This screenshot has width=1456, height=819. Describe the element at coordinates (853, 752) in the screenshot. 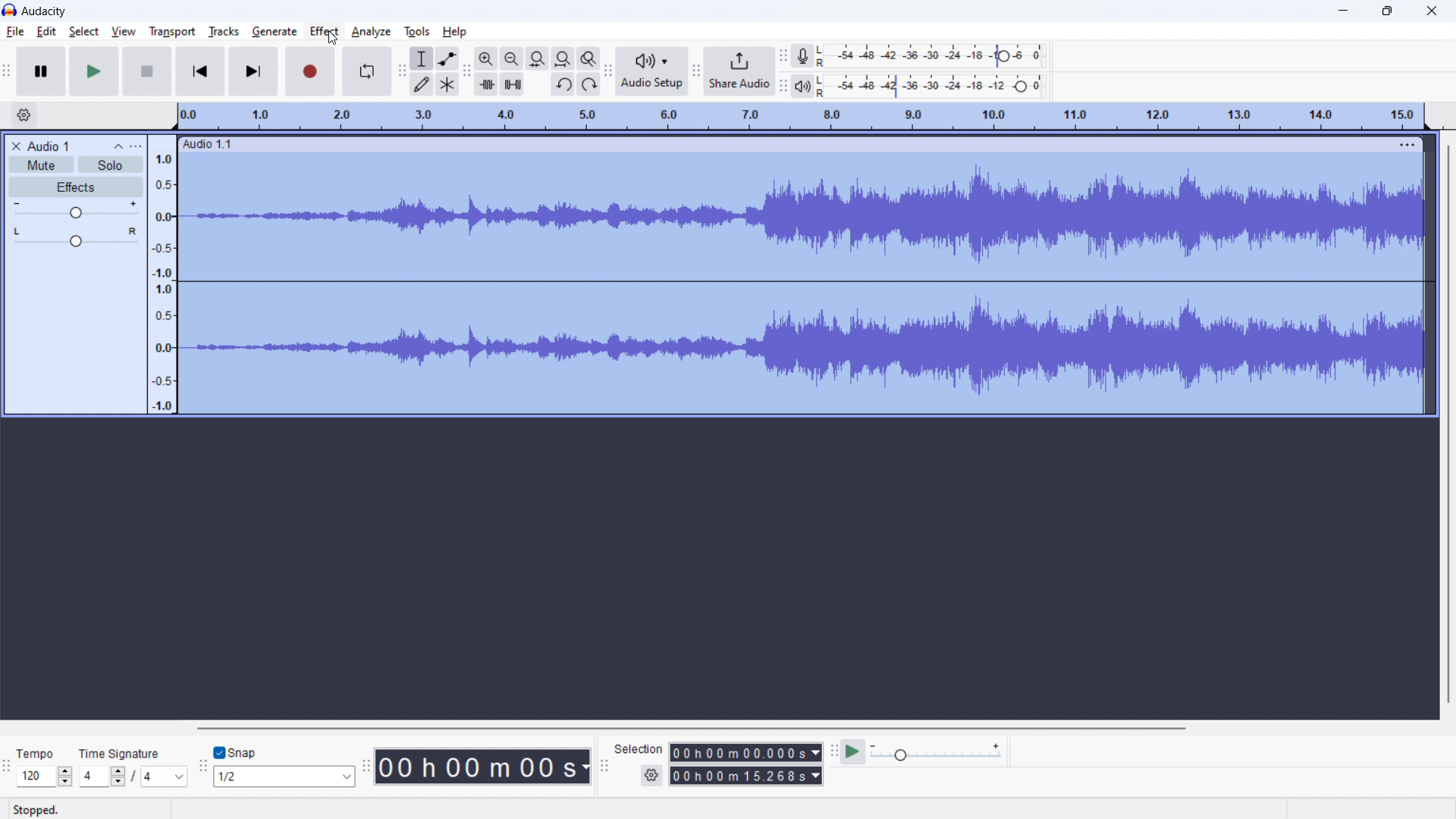

I see `play at speed` at that location.